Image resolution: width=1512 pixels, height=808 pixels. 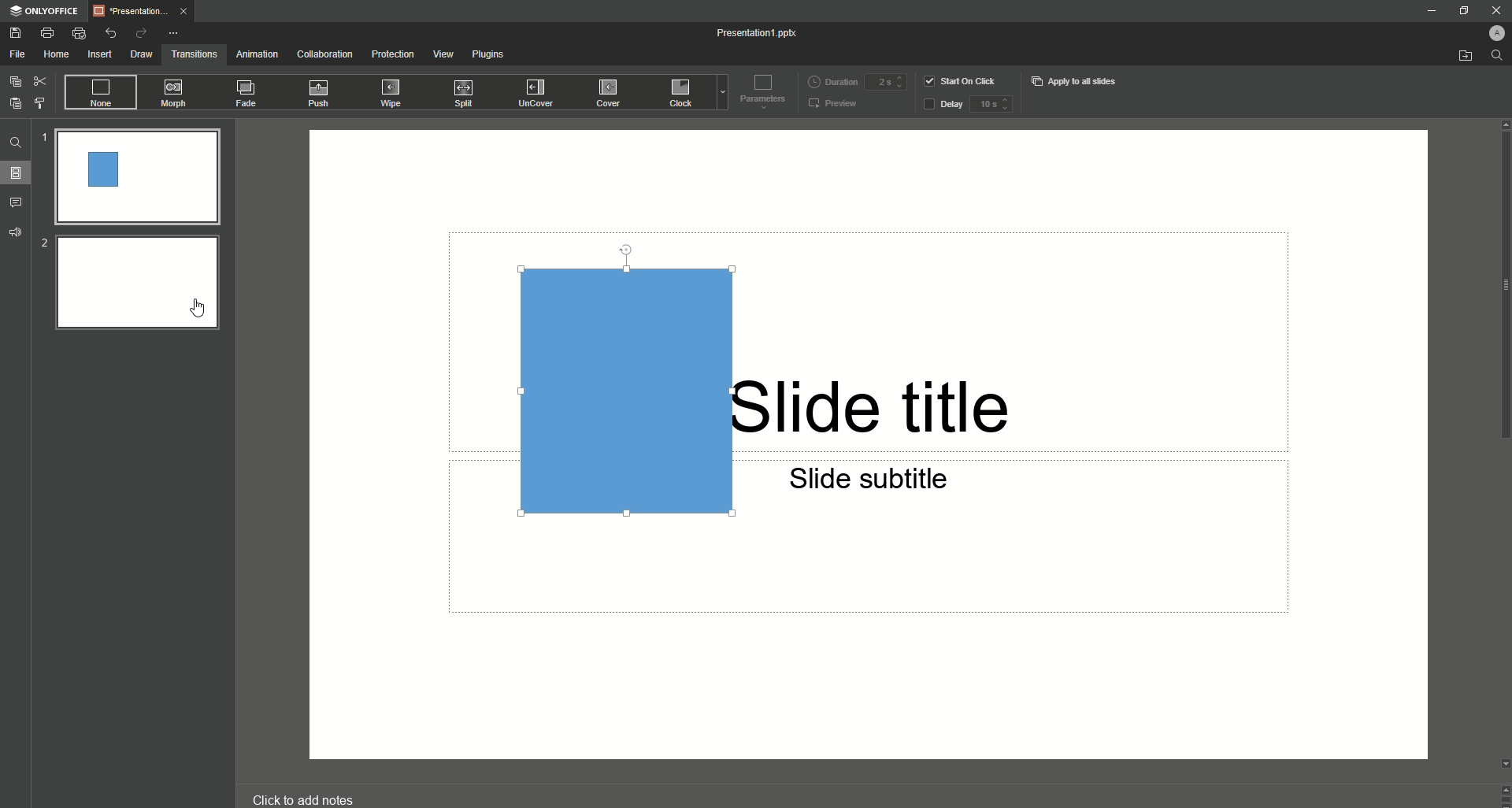 What do you see at coordinates (443, 54) in the screenshot?
I see `View` at bounding box center [443, 54].